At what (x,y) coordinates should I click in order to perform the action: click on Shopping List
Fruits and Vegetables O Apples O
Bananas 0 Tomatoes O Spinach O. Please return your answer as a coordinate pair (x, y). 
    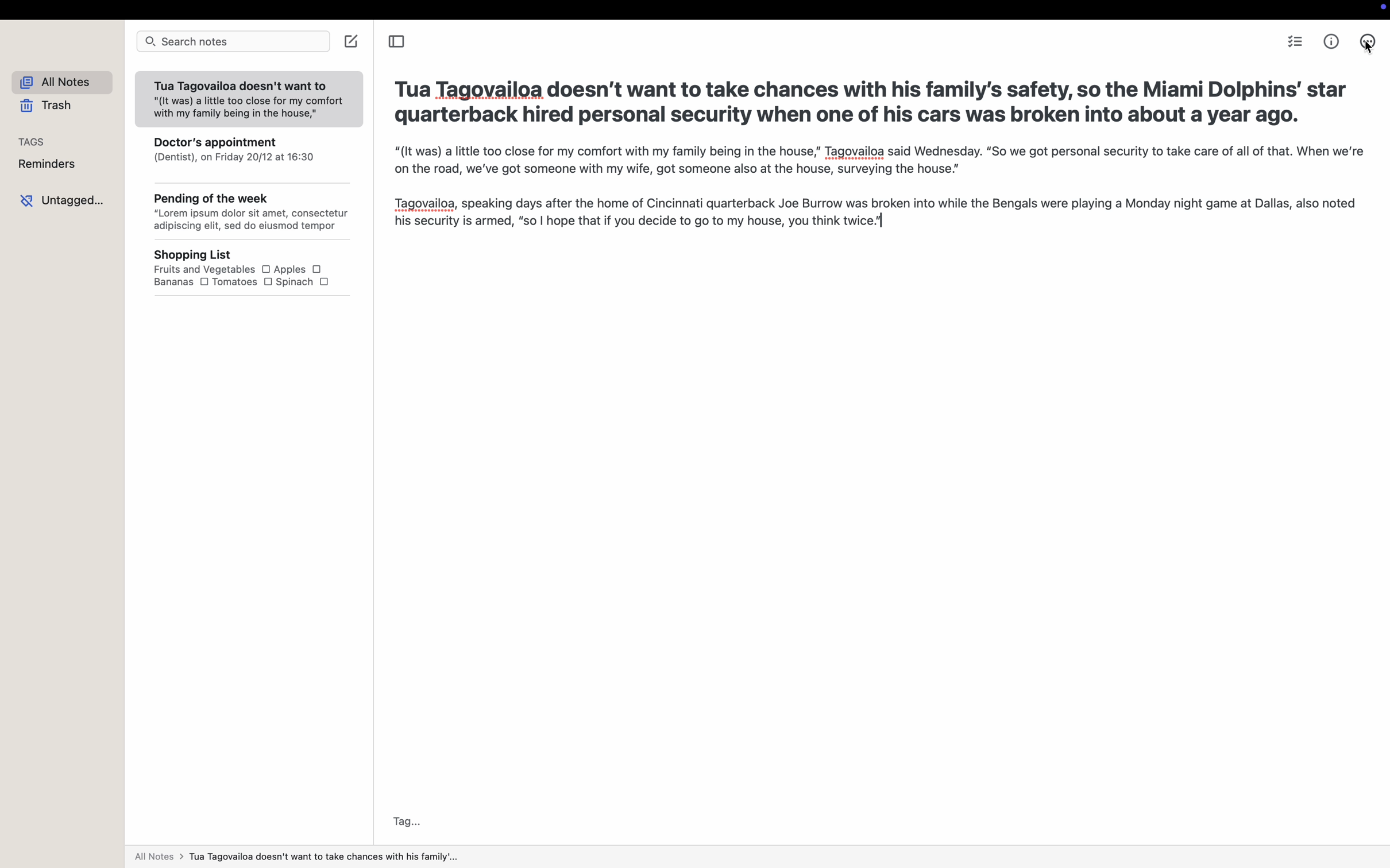
    Looking at the image, I should click on (259, 269).